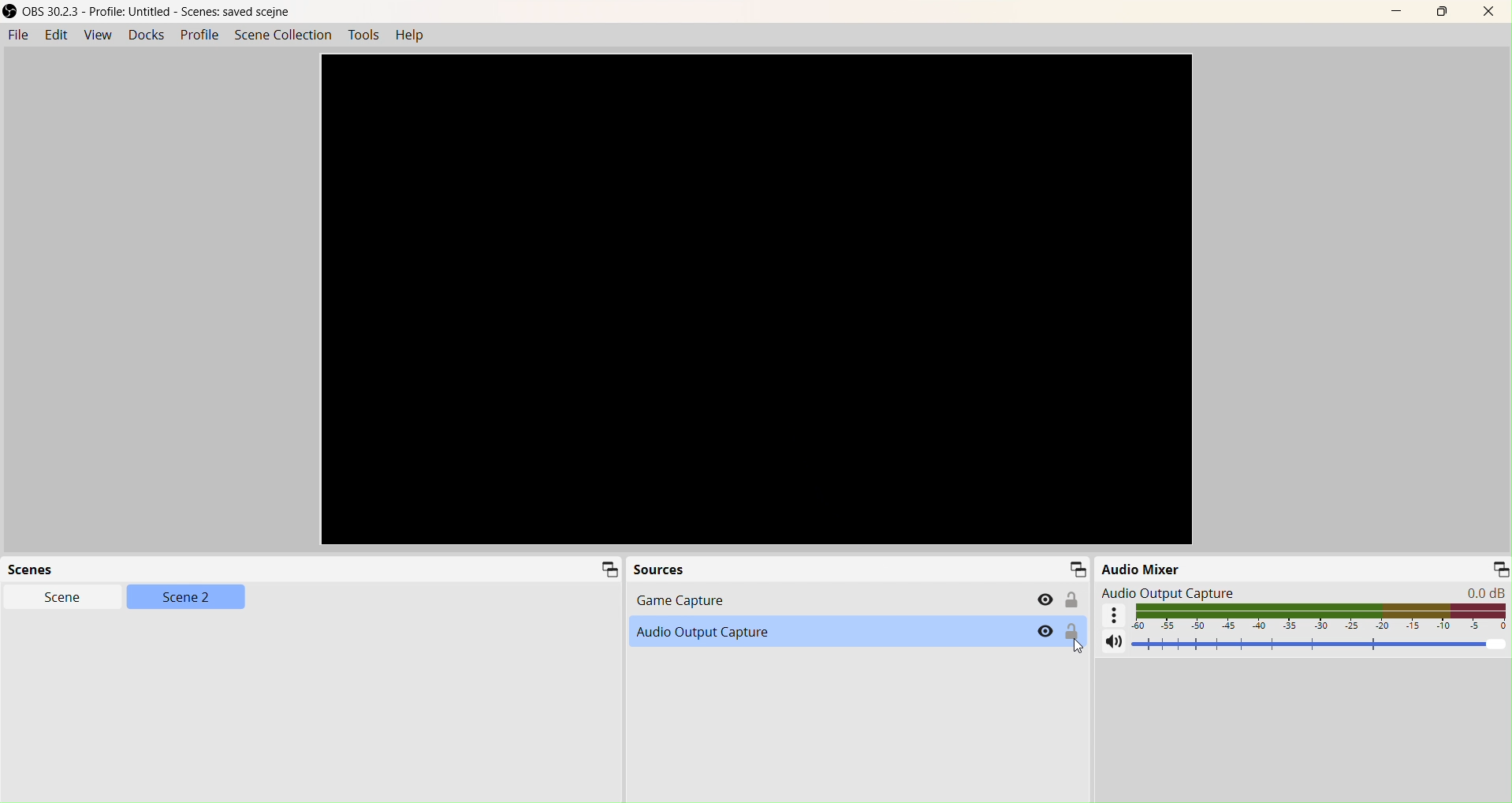 This screenshot has width=1512, height=803. What do you see at coordinates (312, 570) in the screenshot?
I see `Scenes` at bounding box center [312, 570].